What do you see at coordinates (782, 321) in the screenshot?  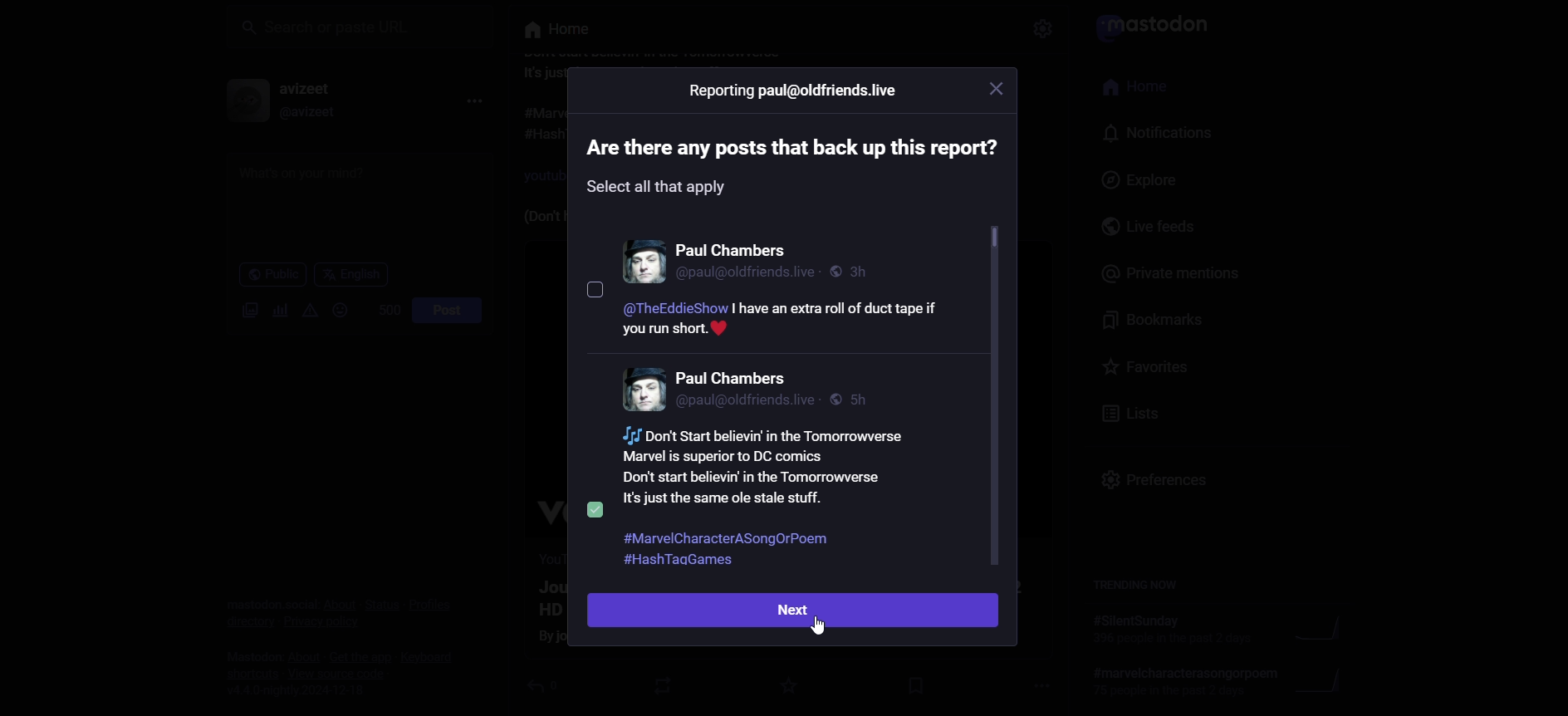 I see `` at bounding box center [782, 321].